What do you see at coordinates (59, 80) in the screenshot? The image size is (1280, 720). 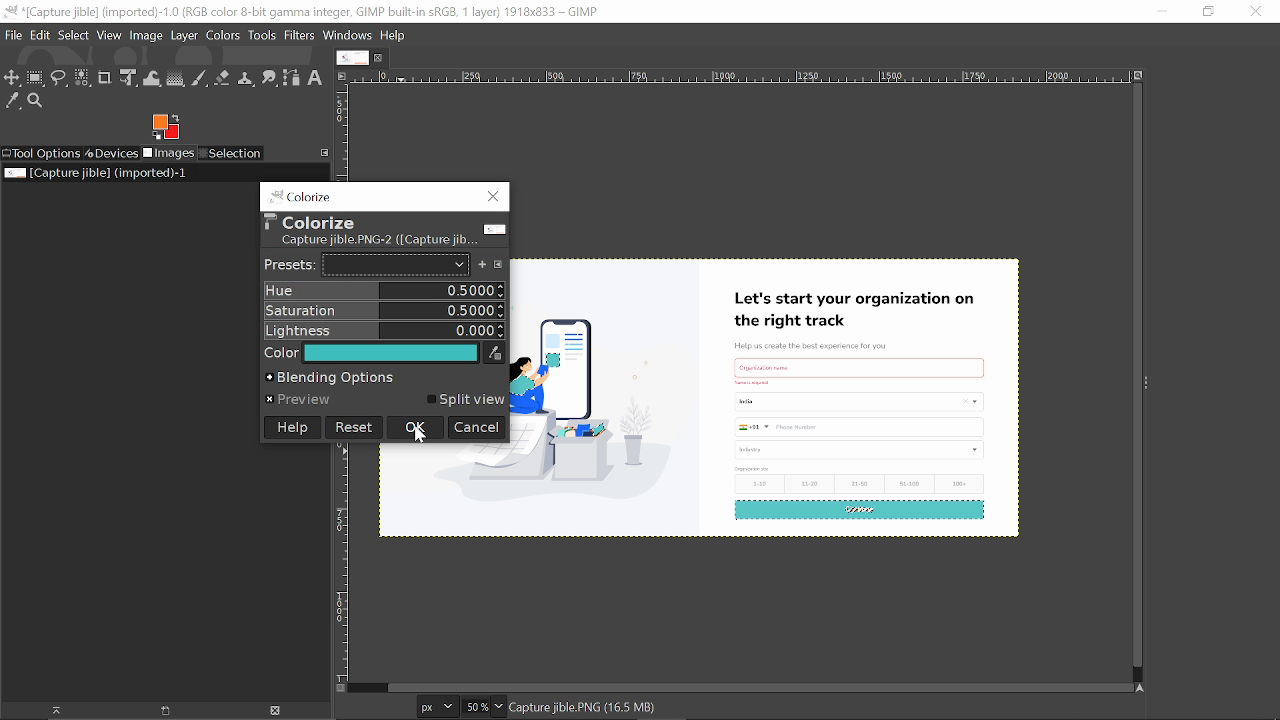 I see `Free select tool` at bounding box center [59, 80].